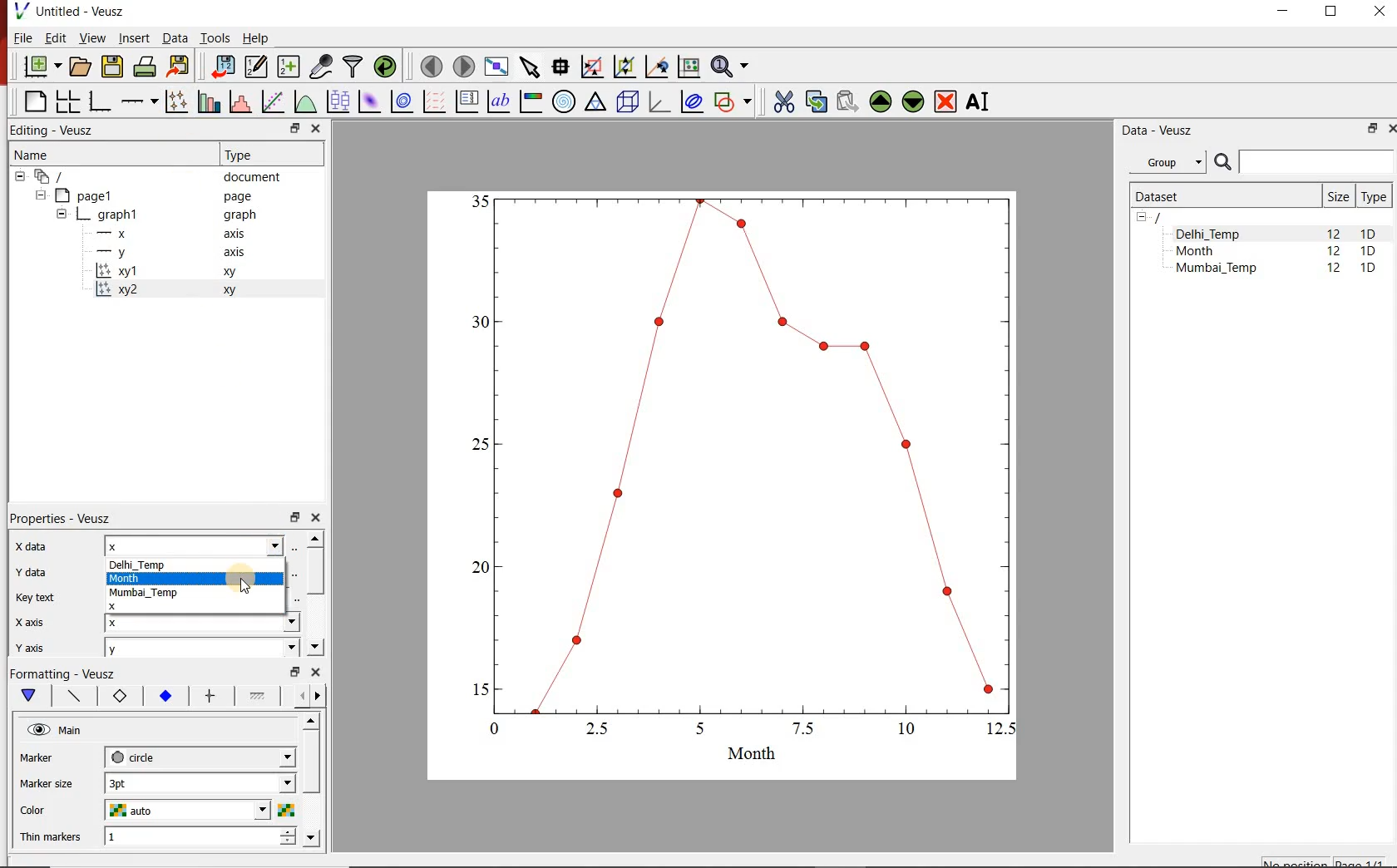 This screenshot has width=1397, height=868. What do you see at coordinates (1335, 270) in the screenshot?
I see `12` at bounding box center [1335, 270].